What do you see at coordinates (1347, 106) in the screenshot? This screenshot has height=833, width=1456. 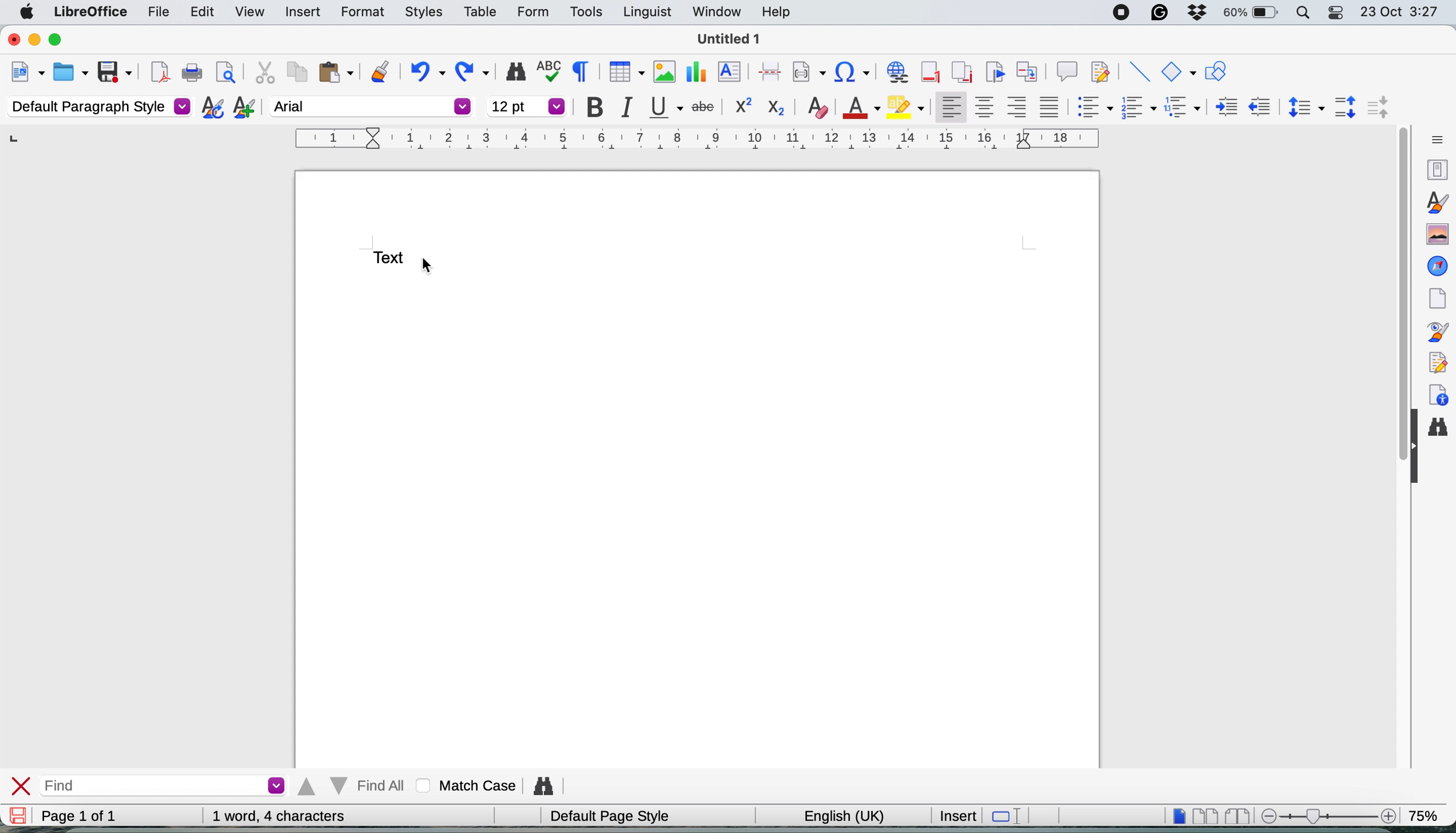 I see `increase paragraph spacing` at bounding box center [1347, 106].